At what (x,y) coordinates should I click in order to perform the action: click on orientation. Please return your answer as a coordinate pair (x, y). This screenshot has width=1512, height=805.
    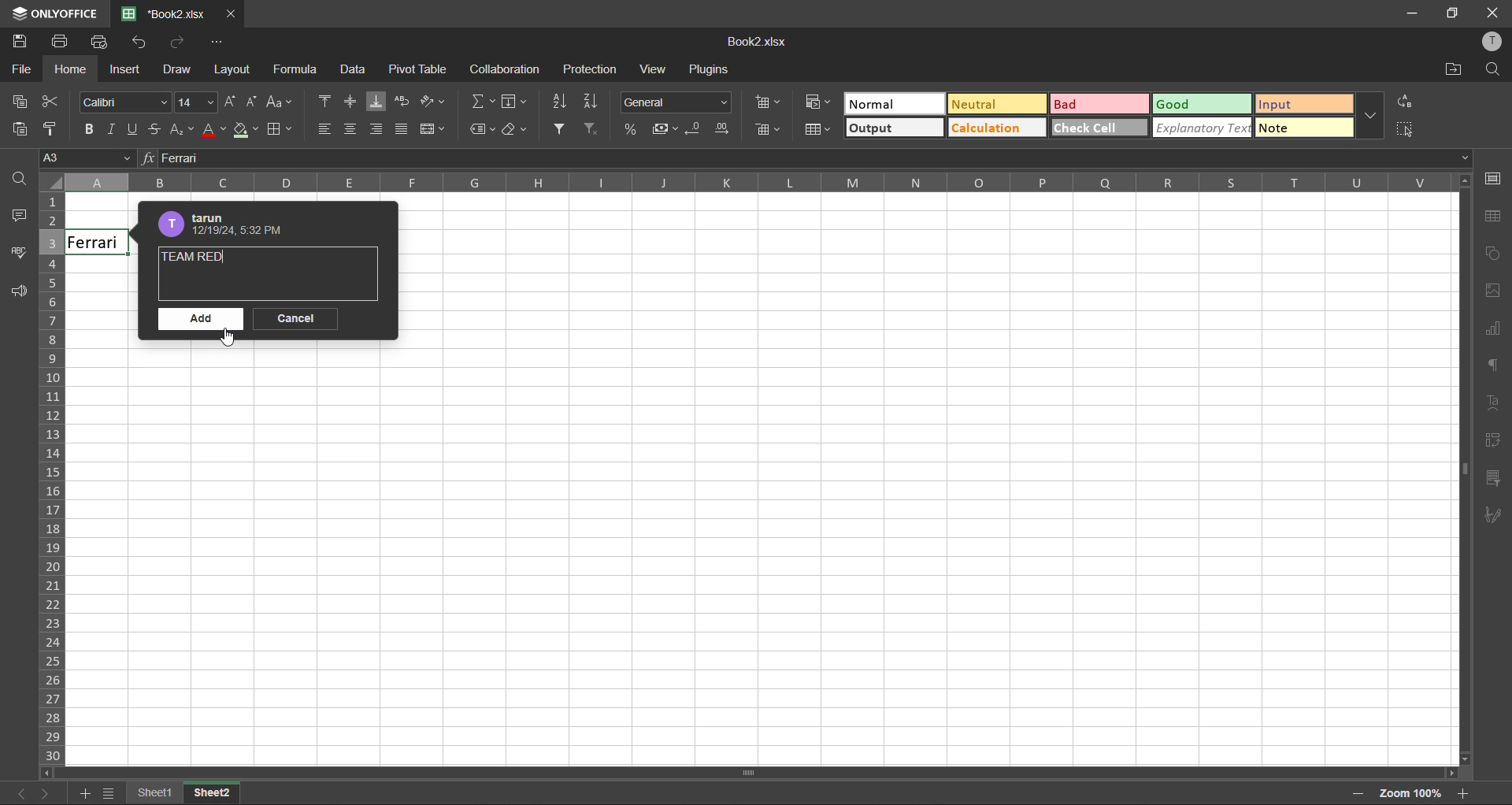
    Looking at the image, I should click on (434, 102).